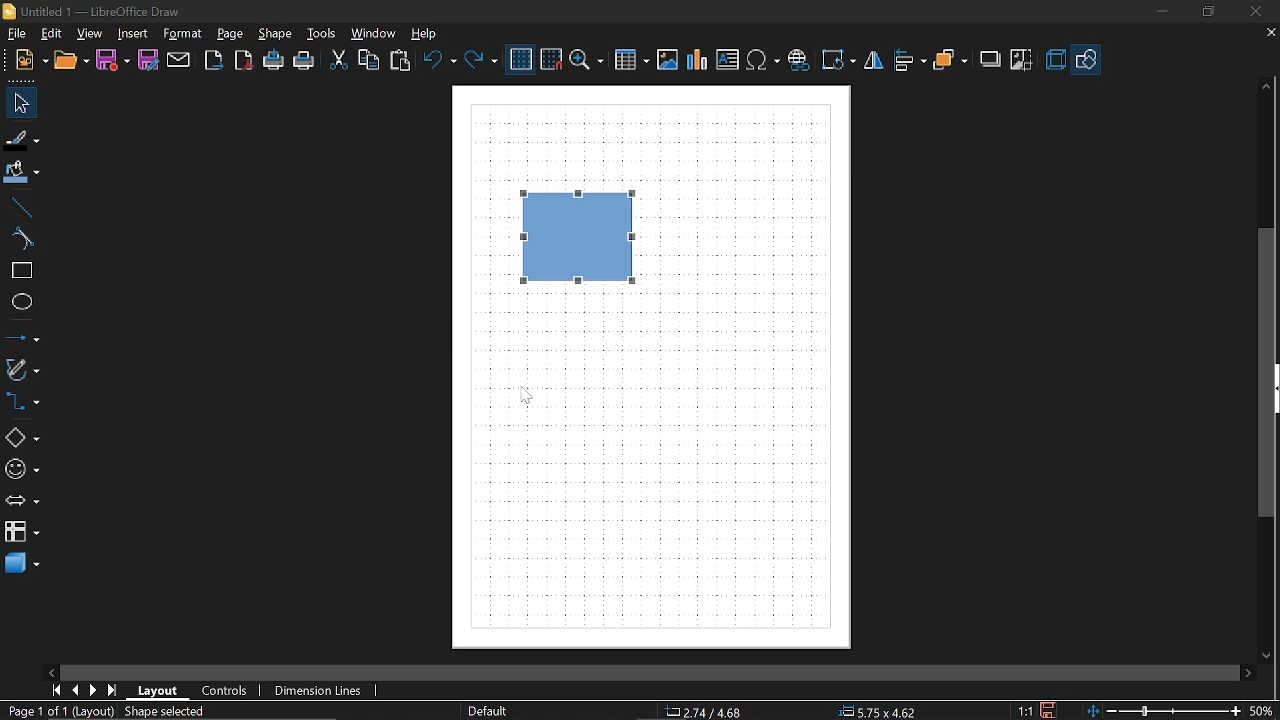  I want to click on Save as, so click(148, 60).